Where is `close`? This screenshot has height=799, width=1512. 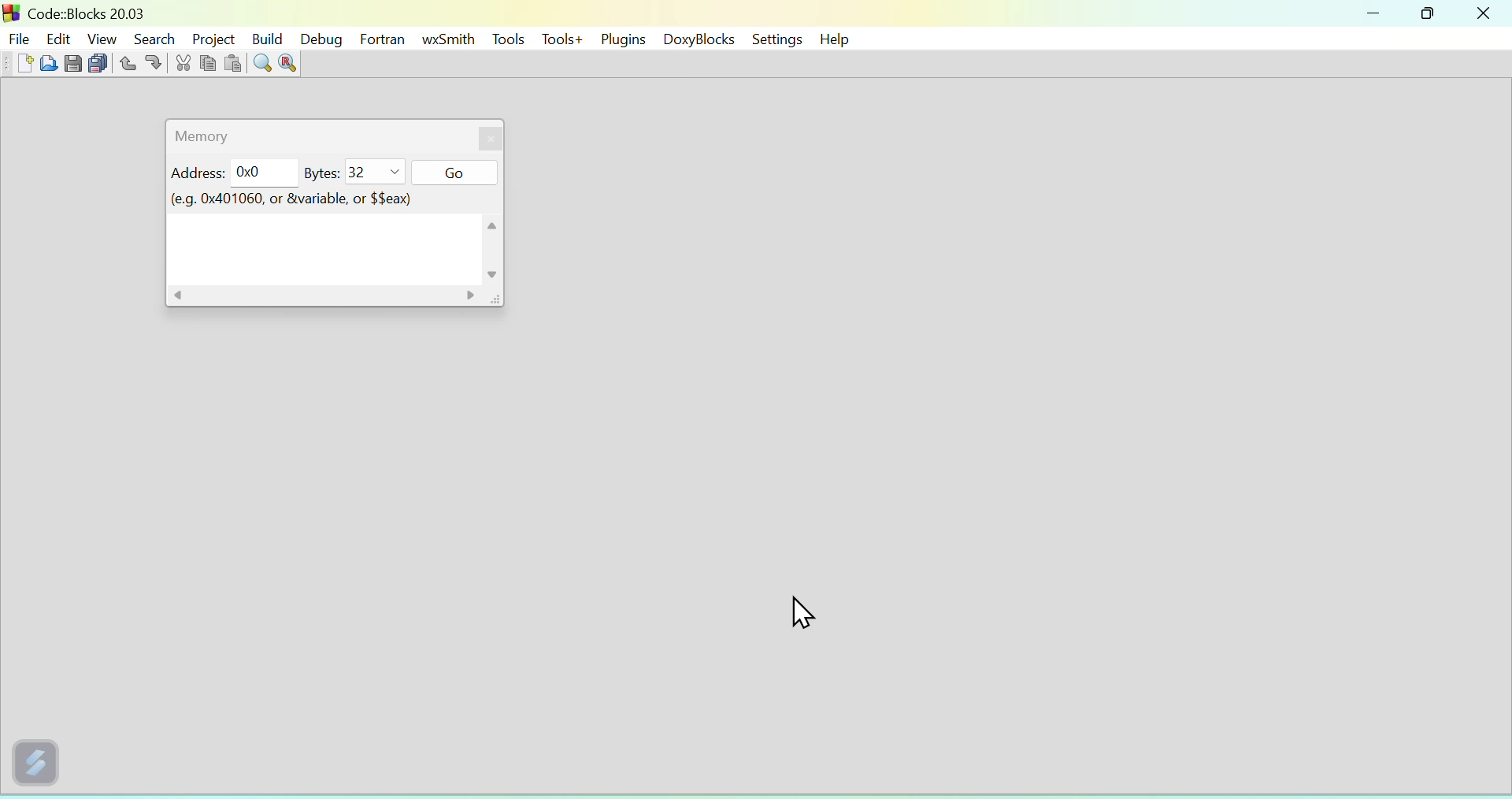 close is located at coordinates (1485, 13).